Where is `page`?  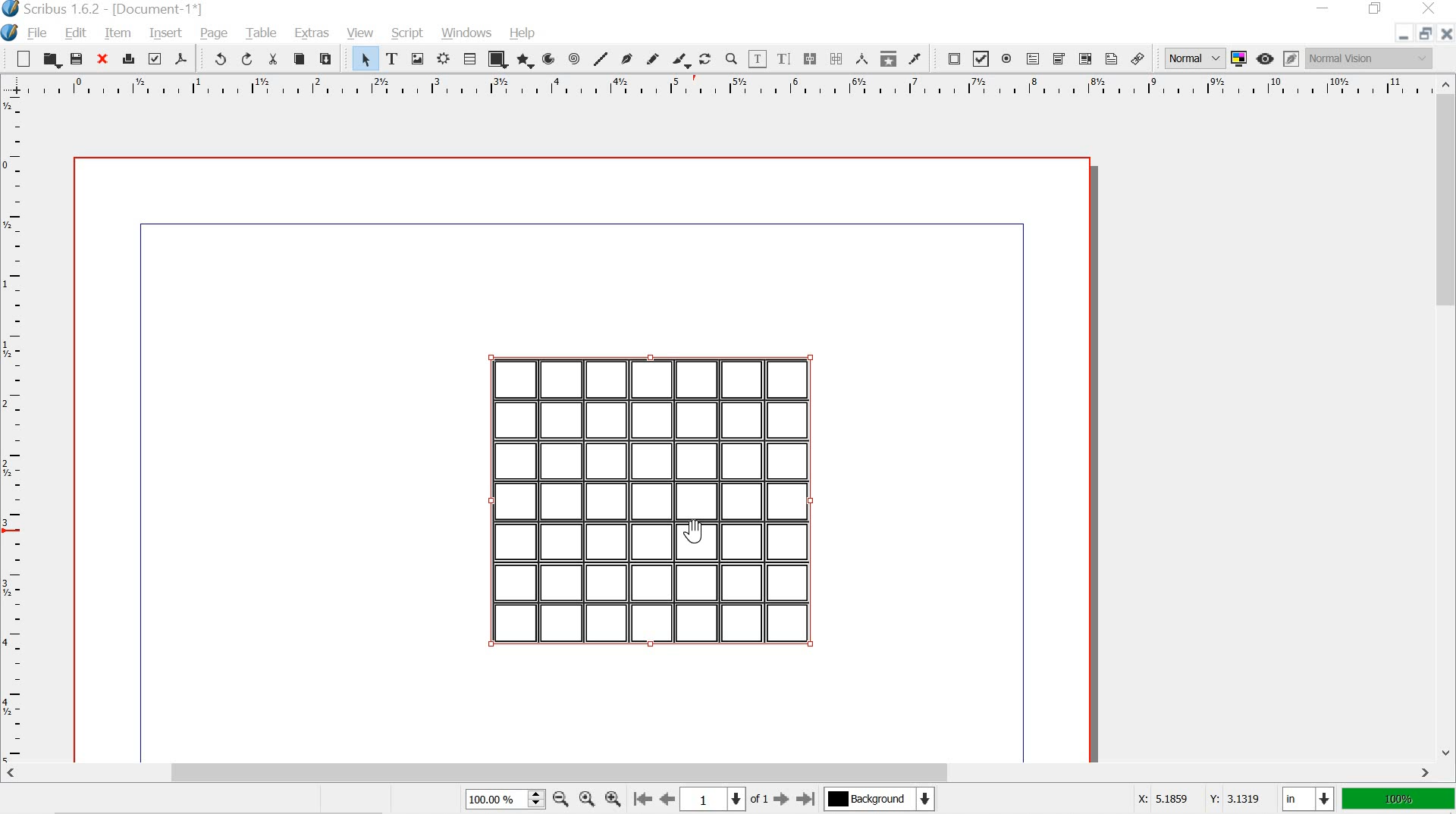 page is located at coordinates (215, 33).